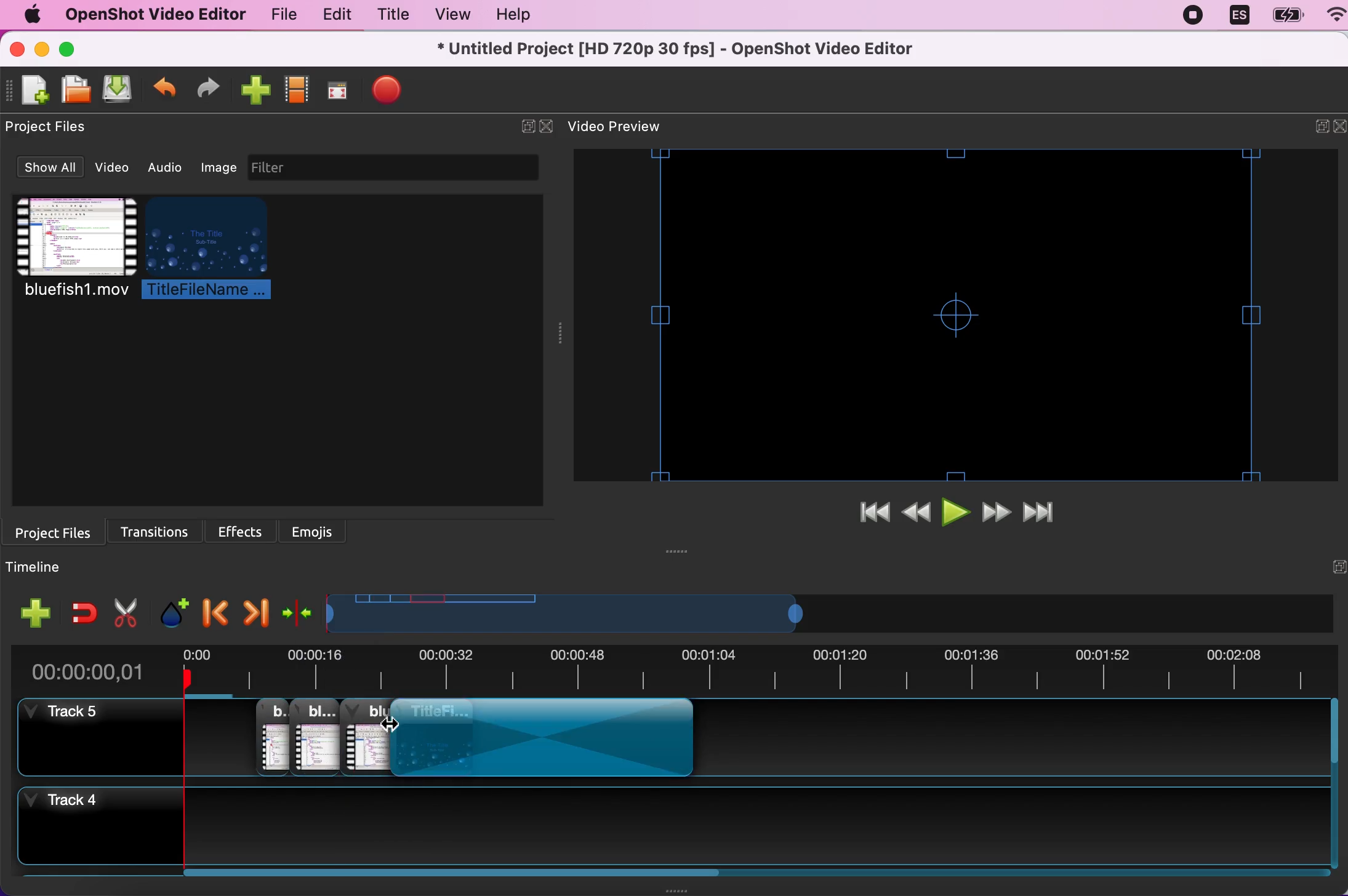  Describe the element at coordinates (91, 828) in the screenshot. I see `track 4` at that location.